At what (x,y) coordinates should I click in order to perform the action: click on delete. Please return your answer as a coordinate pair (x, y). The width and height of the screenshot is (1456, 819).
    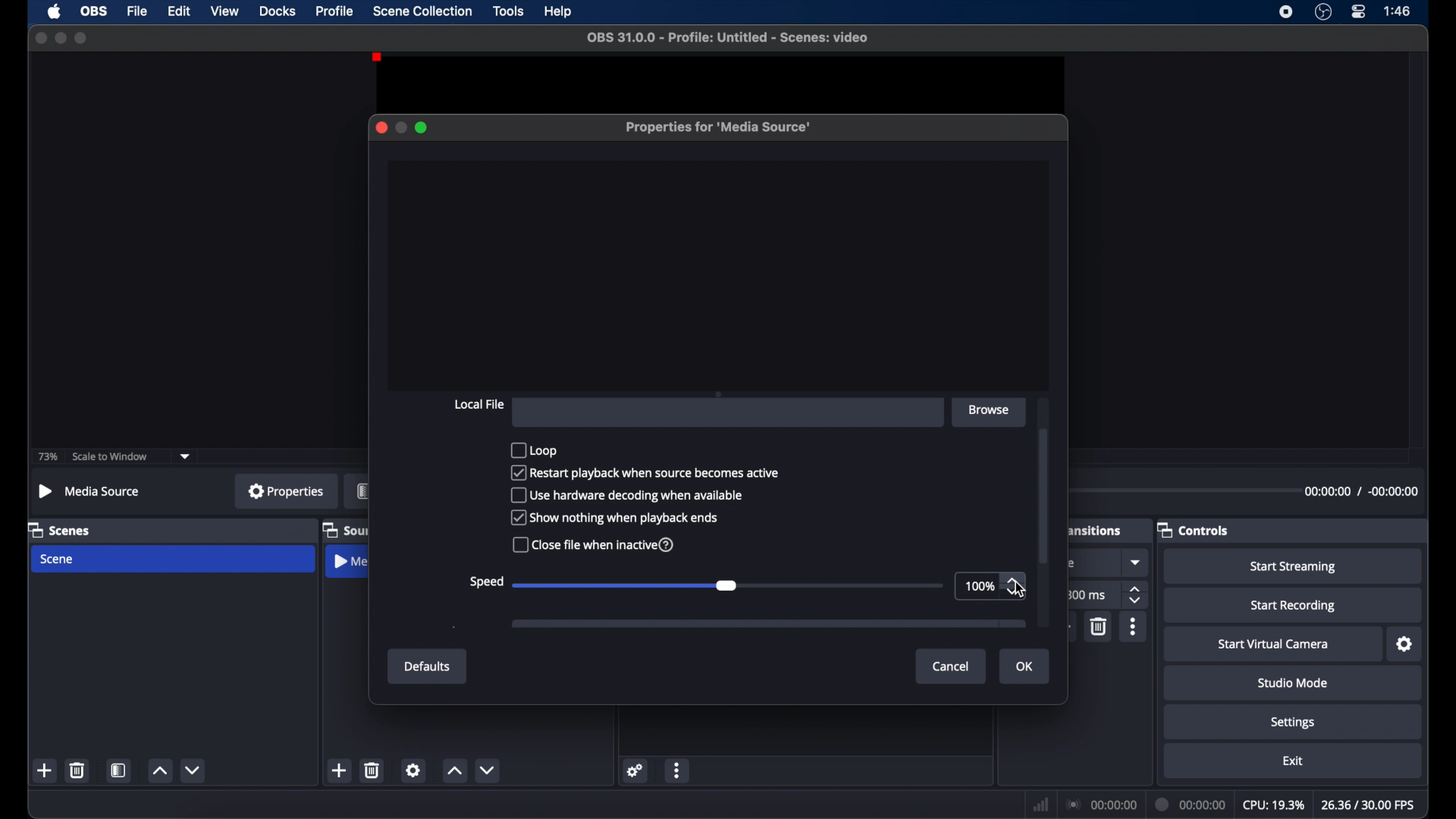
    Looking at the image, I should click on (78, 770).